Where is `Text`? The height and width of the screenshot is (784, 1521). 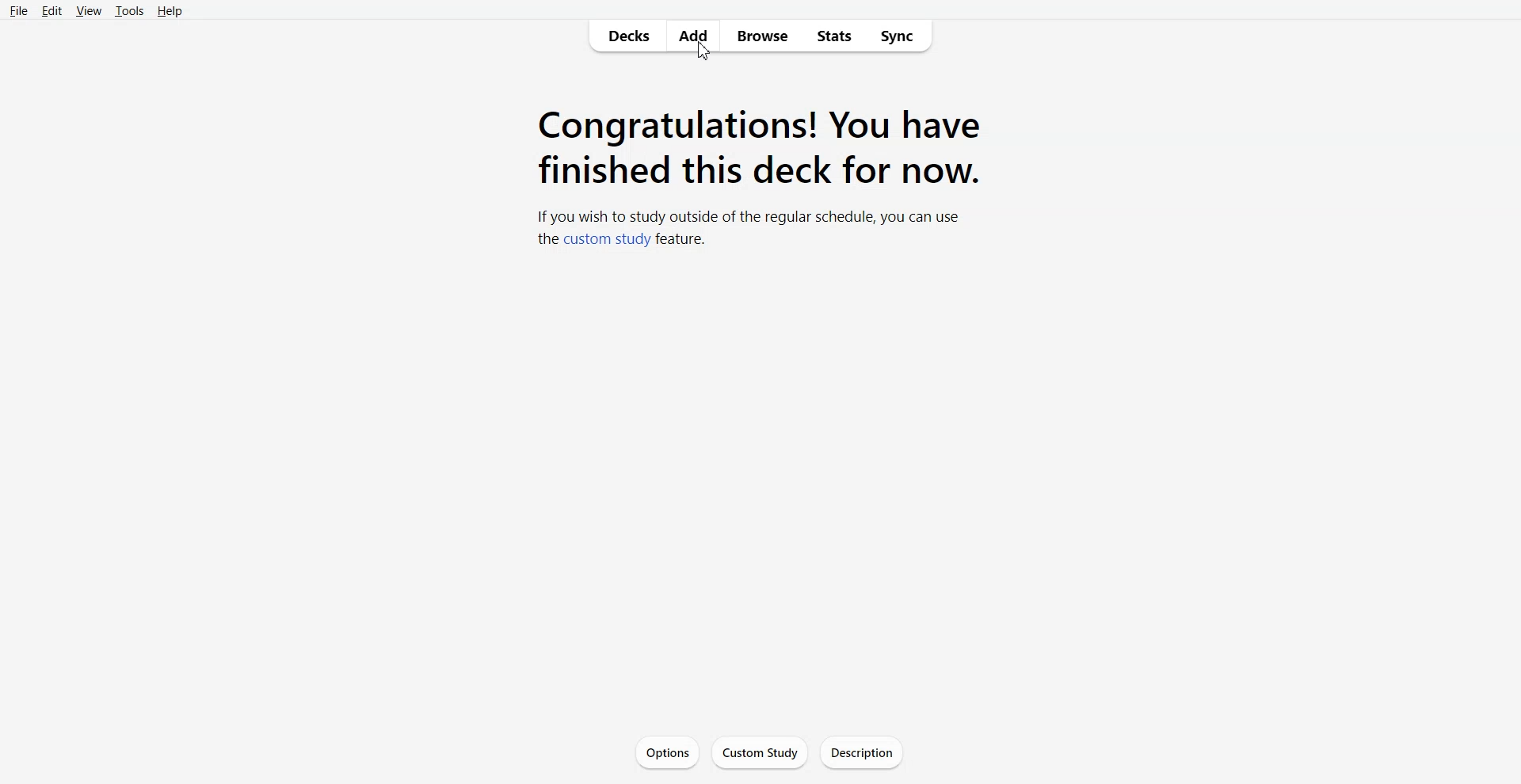
Text is located at coordinates (758, 147).